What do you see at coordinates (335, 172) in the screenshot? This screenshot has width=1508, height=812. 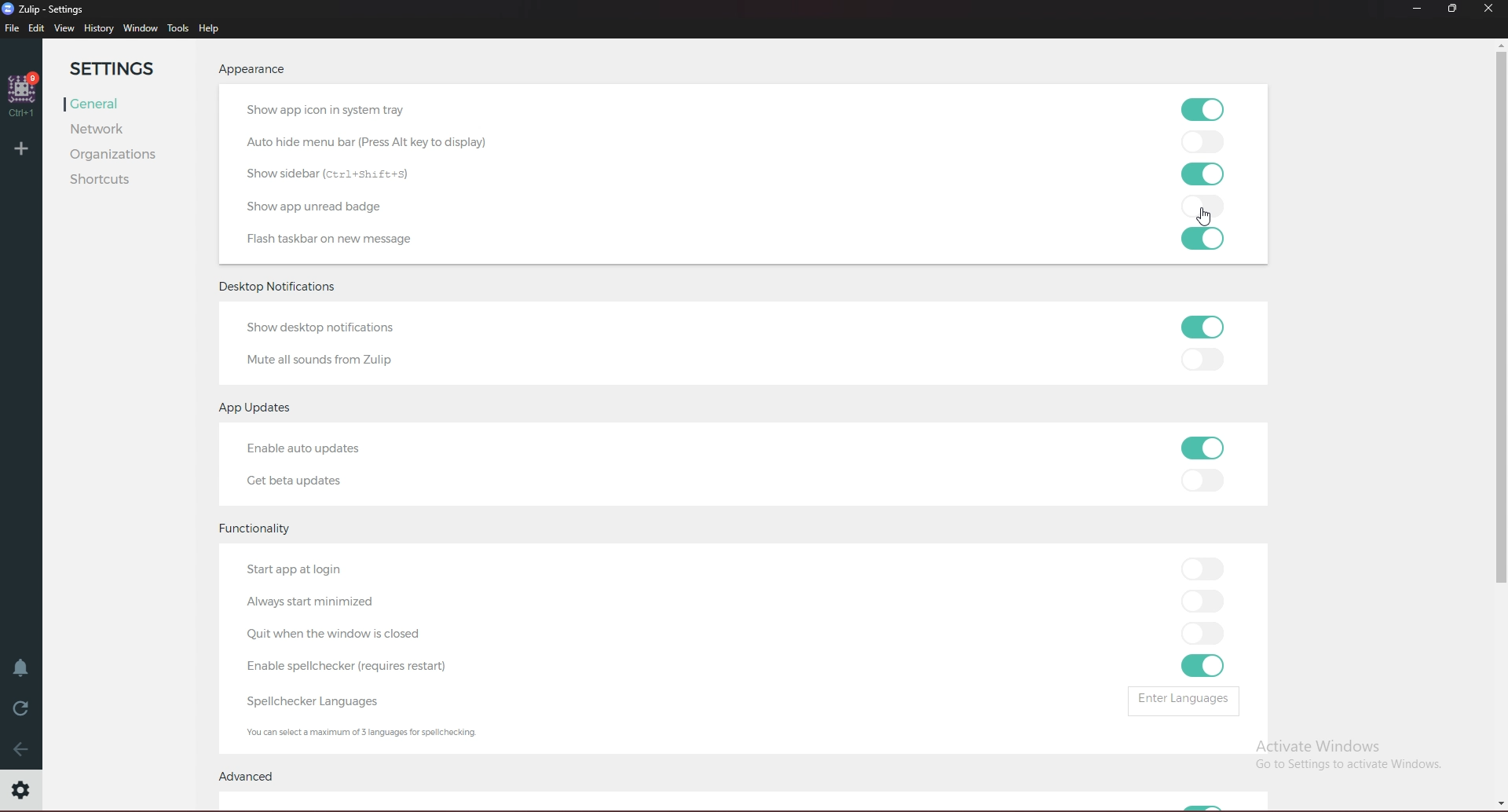 I see `Show sidebar` at bounding box center [335, 172].